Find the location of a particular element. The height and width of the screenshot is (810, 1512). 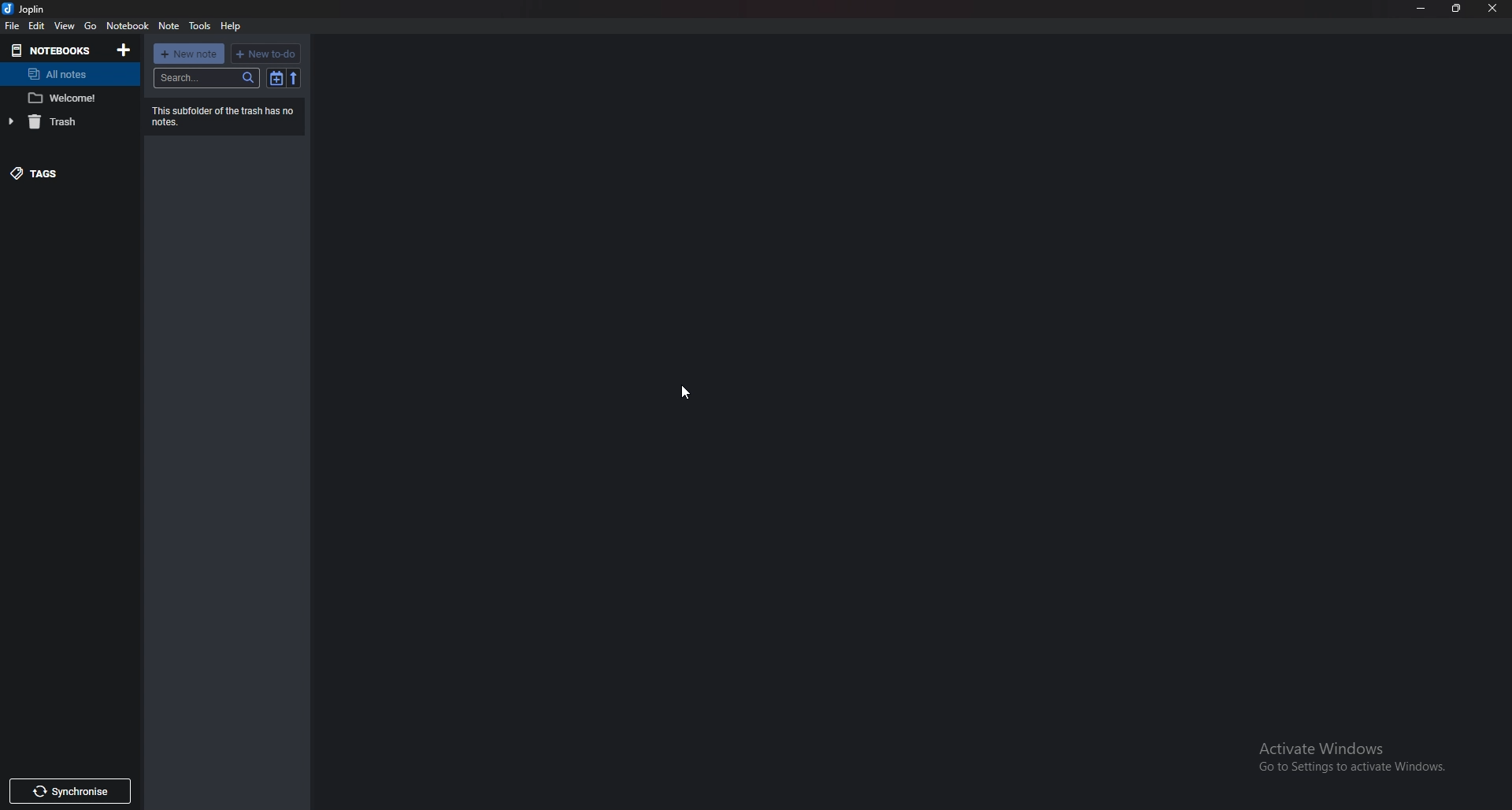

minimize is located at coordinates (1421, 9).